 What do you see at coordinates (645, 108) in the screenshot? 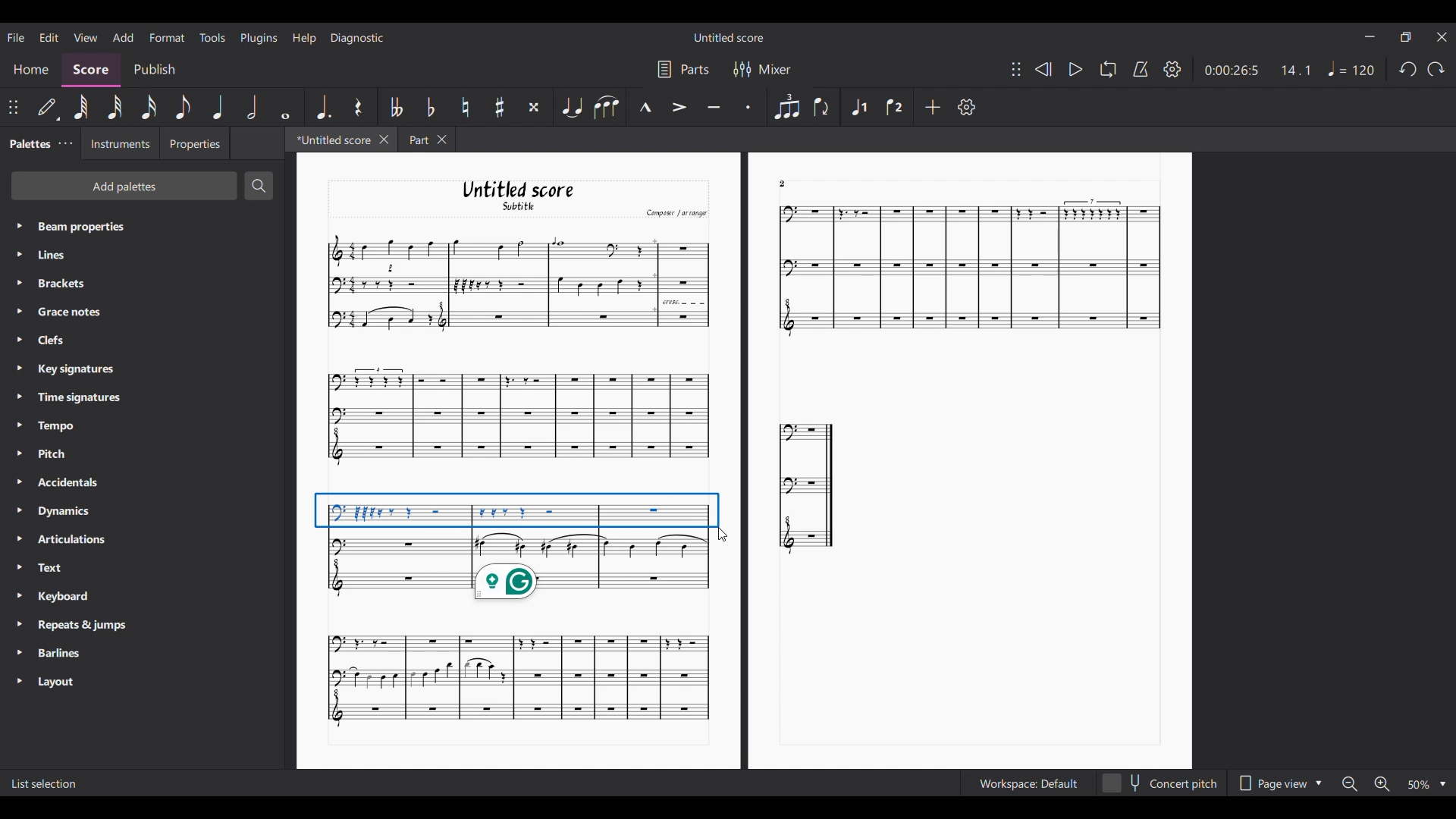
I see `Marcato` at bounding box center [645, 108].